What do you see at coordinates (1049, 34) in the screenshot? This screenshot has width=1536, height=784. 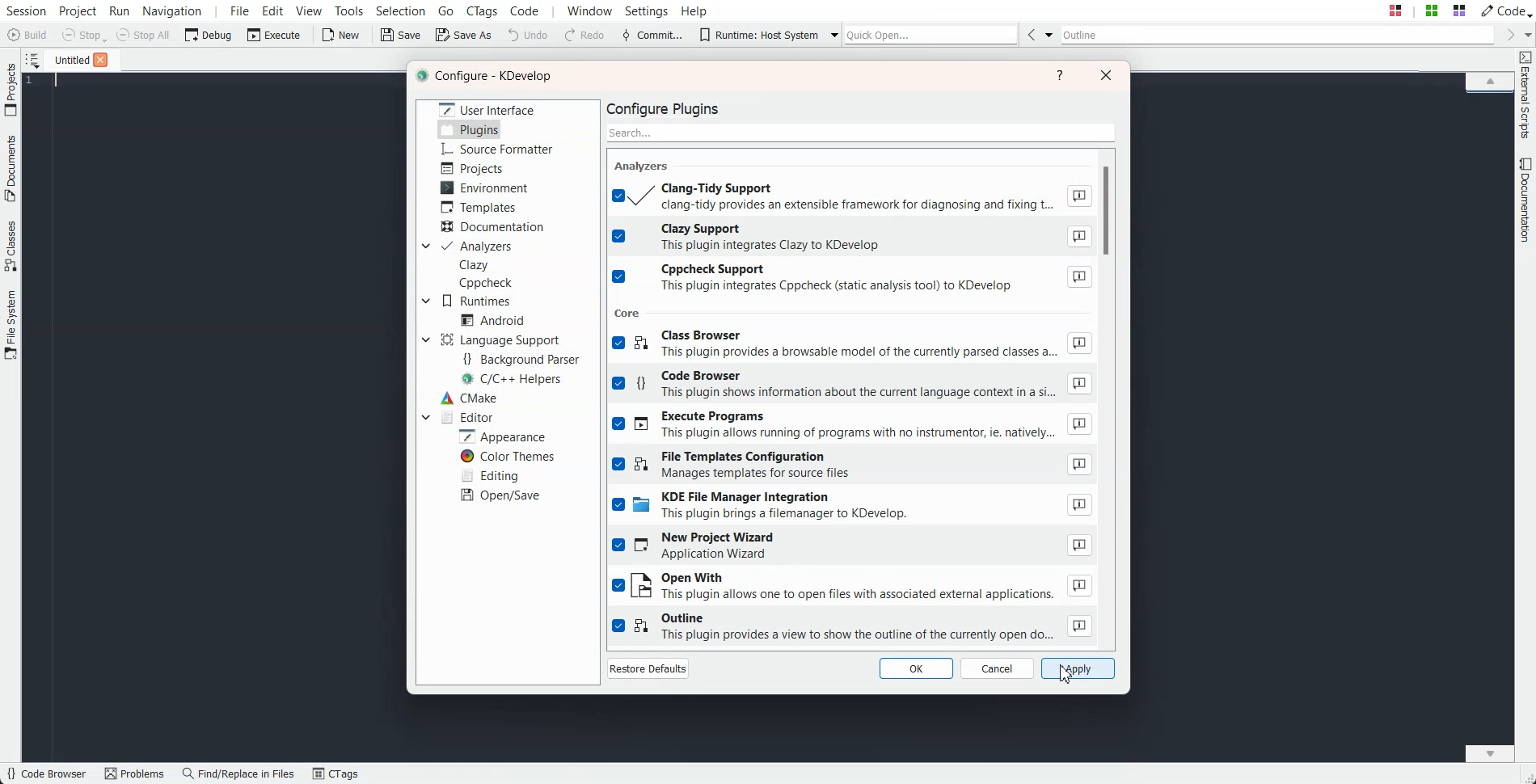 I see `Drop Down box` at bounding box center [1049, 34].